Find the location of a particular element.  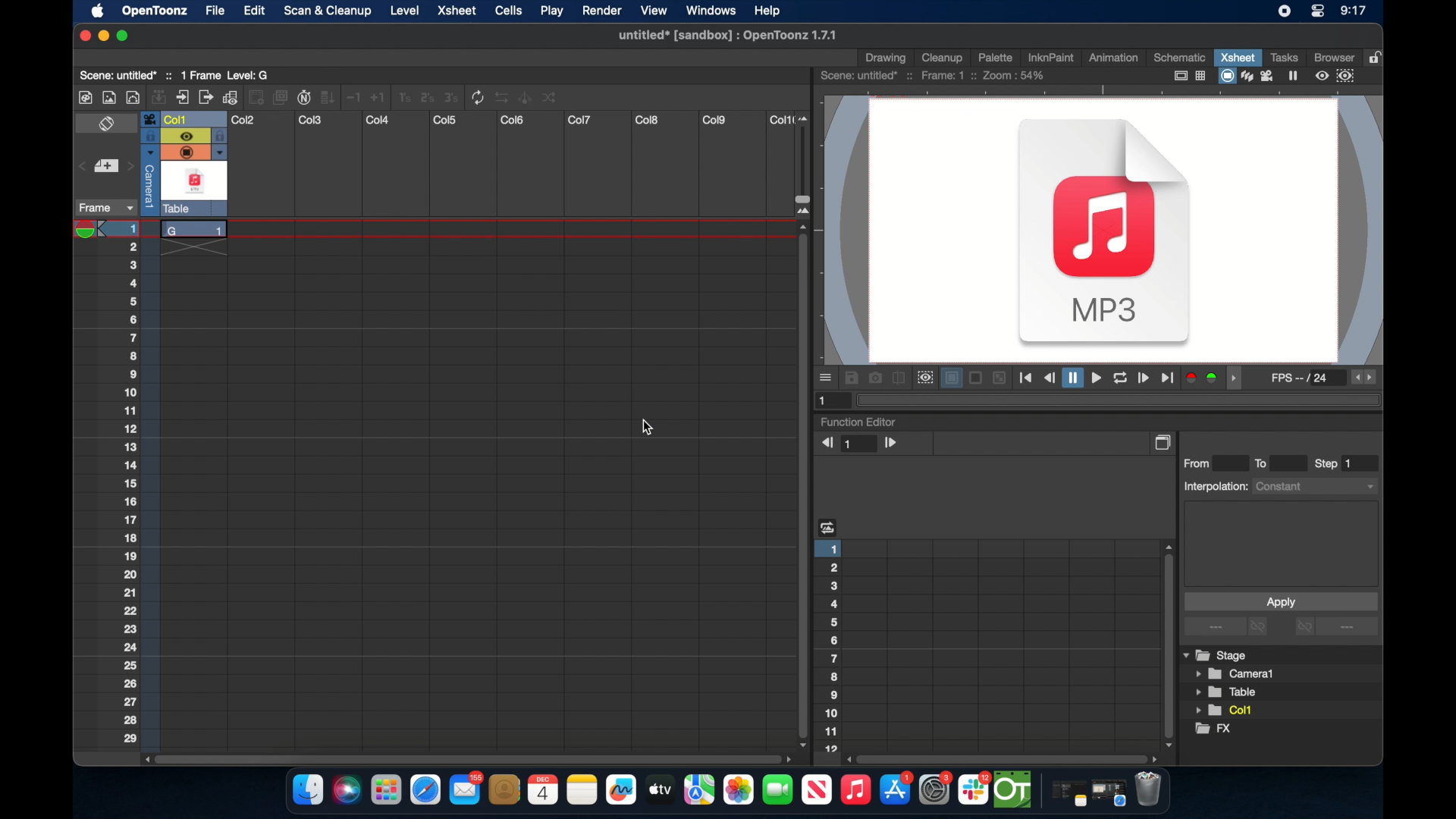

guide options is located at coordinates (1188, 76).